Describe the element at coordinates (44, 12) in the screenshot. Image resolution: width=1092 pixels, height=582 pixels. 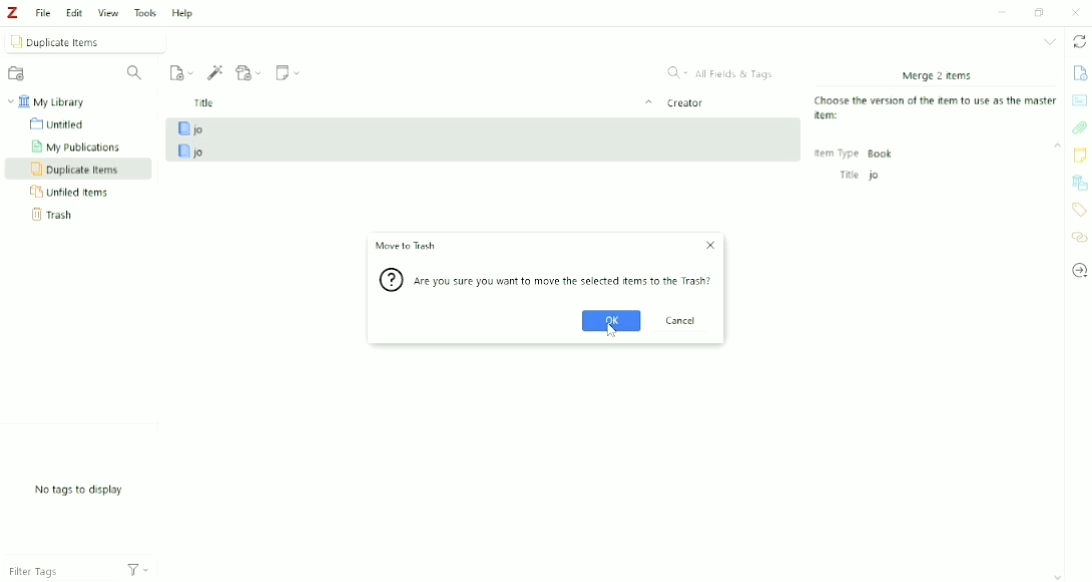
I see `File` at that location.